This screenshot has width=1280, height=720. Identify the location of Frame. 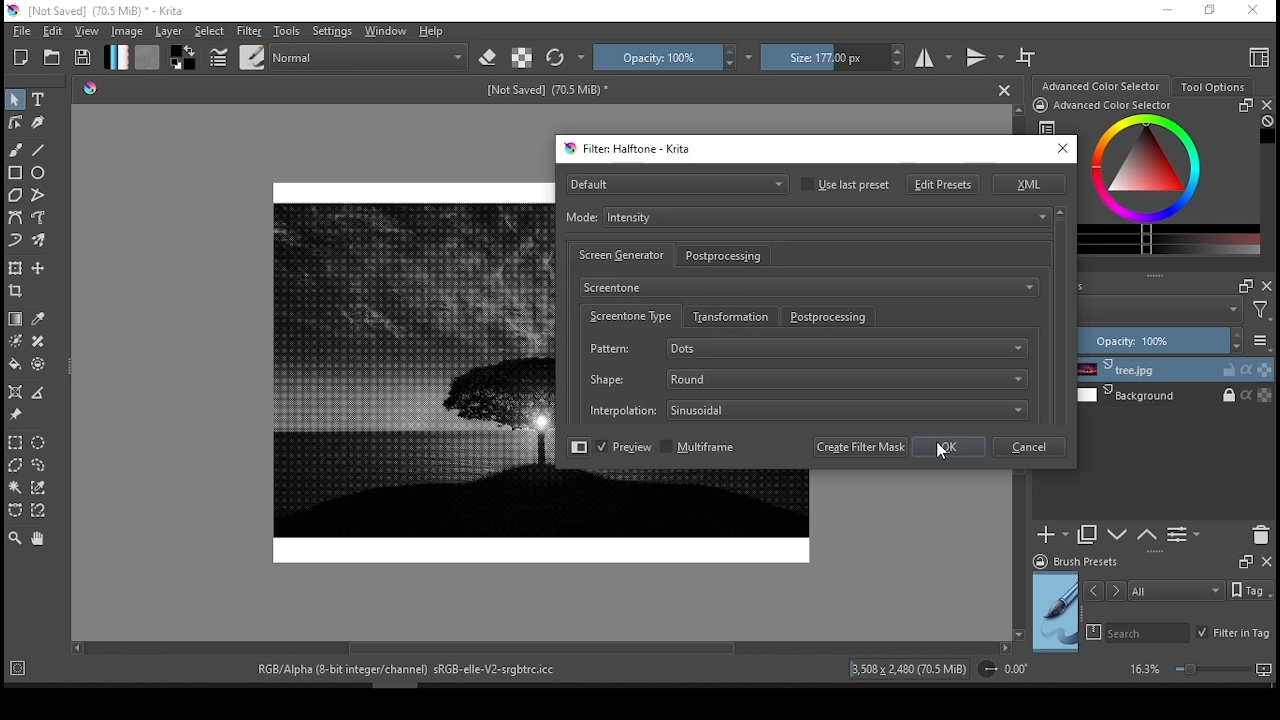
(1242, 287).